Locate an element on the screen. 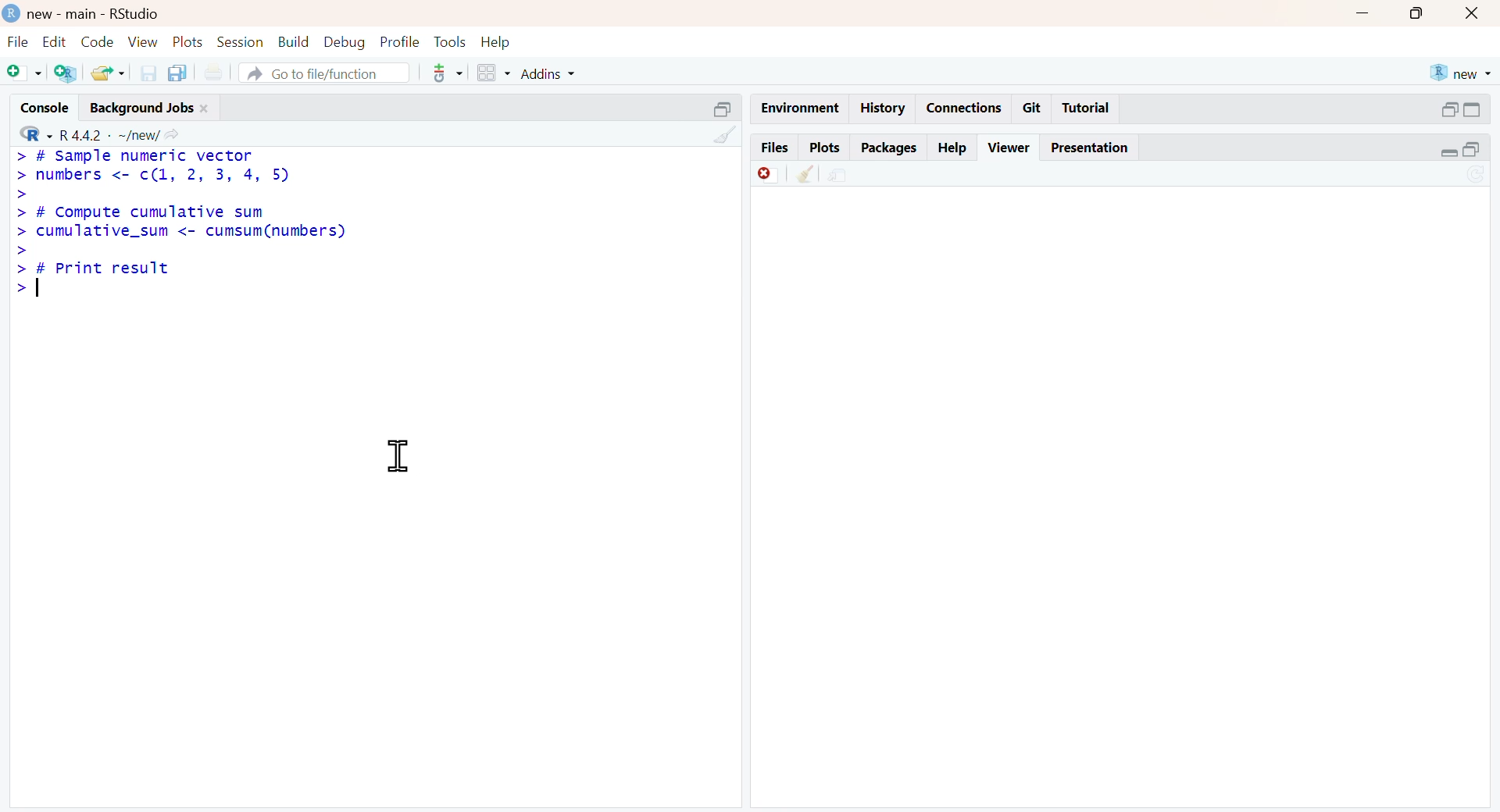 This screenshot has width=1500, height=812. plots is located at coordinates (187, 40).